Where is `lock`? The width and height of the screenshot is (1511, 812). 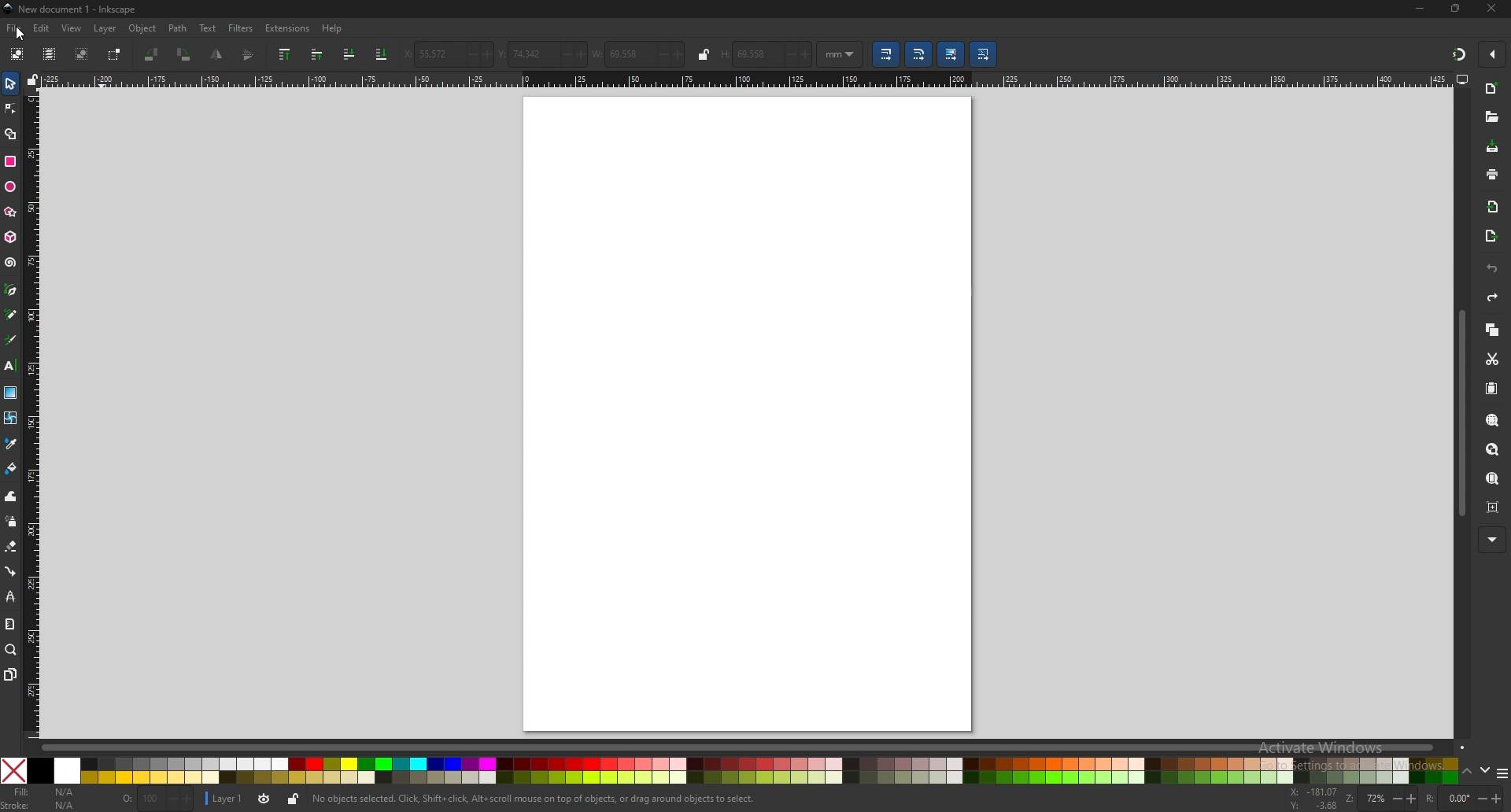 lock is located at coordinates (704, 54).